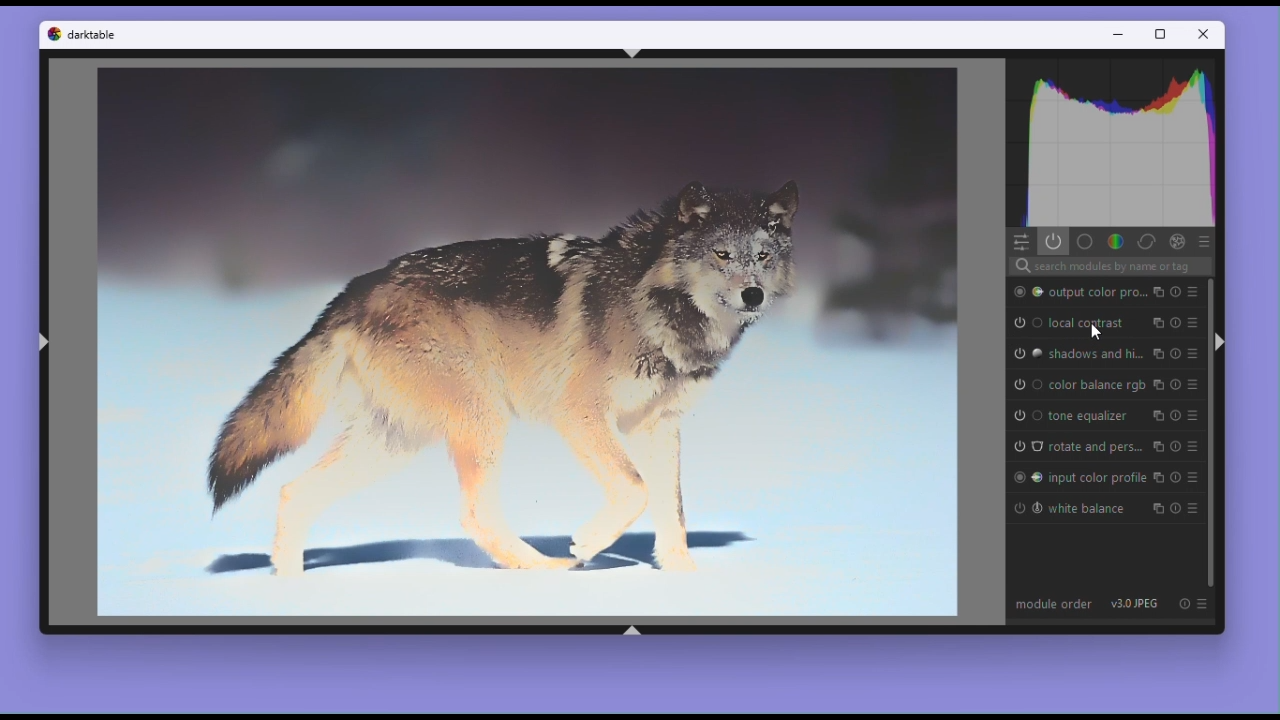  I want to click on presets, so click(1197, 413).